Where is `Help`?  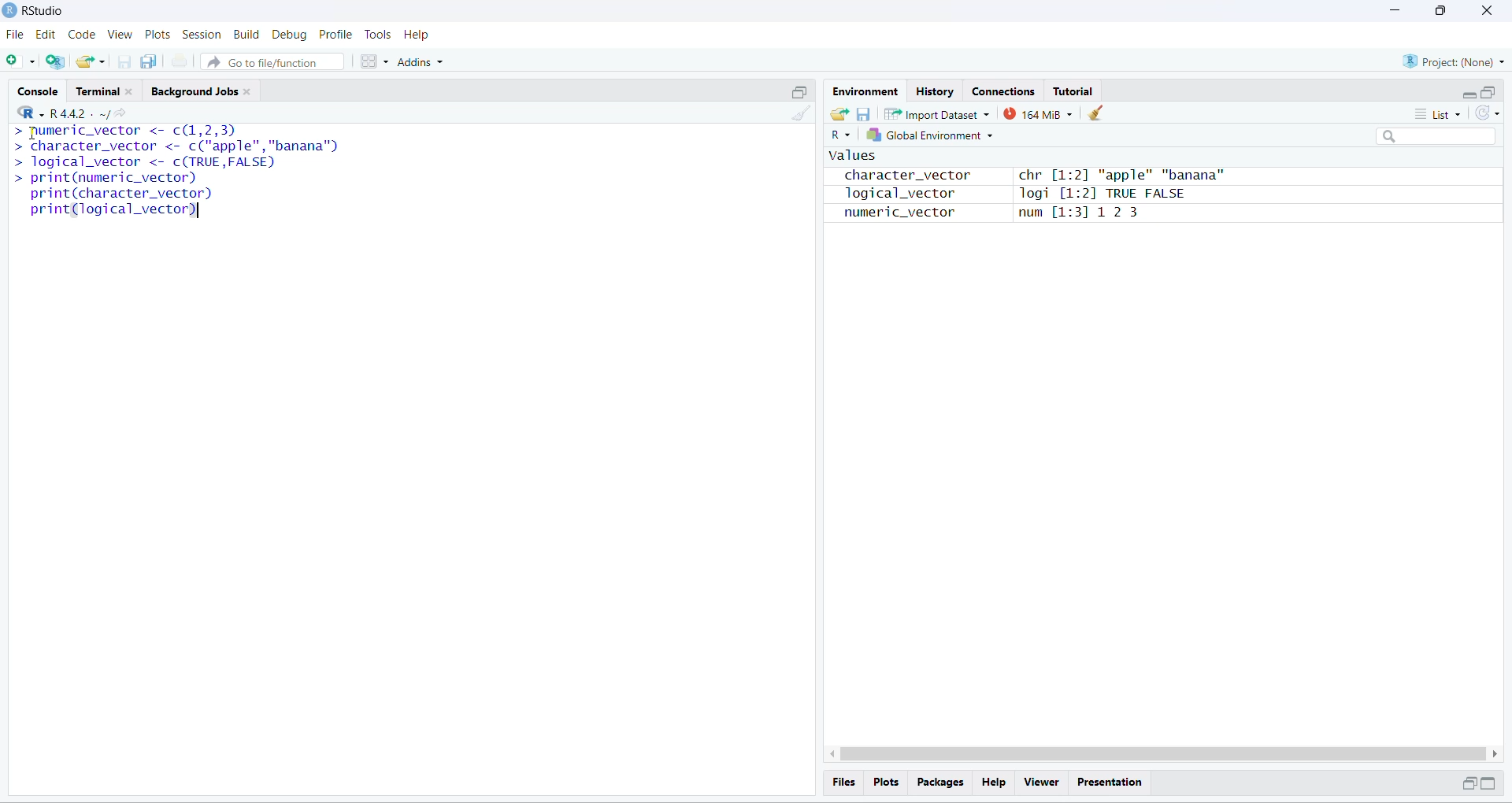
Help is located at coordinates (993, 783).